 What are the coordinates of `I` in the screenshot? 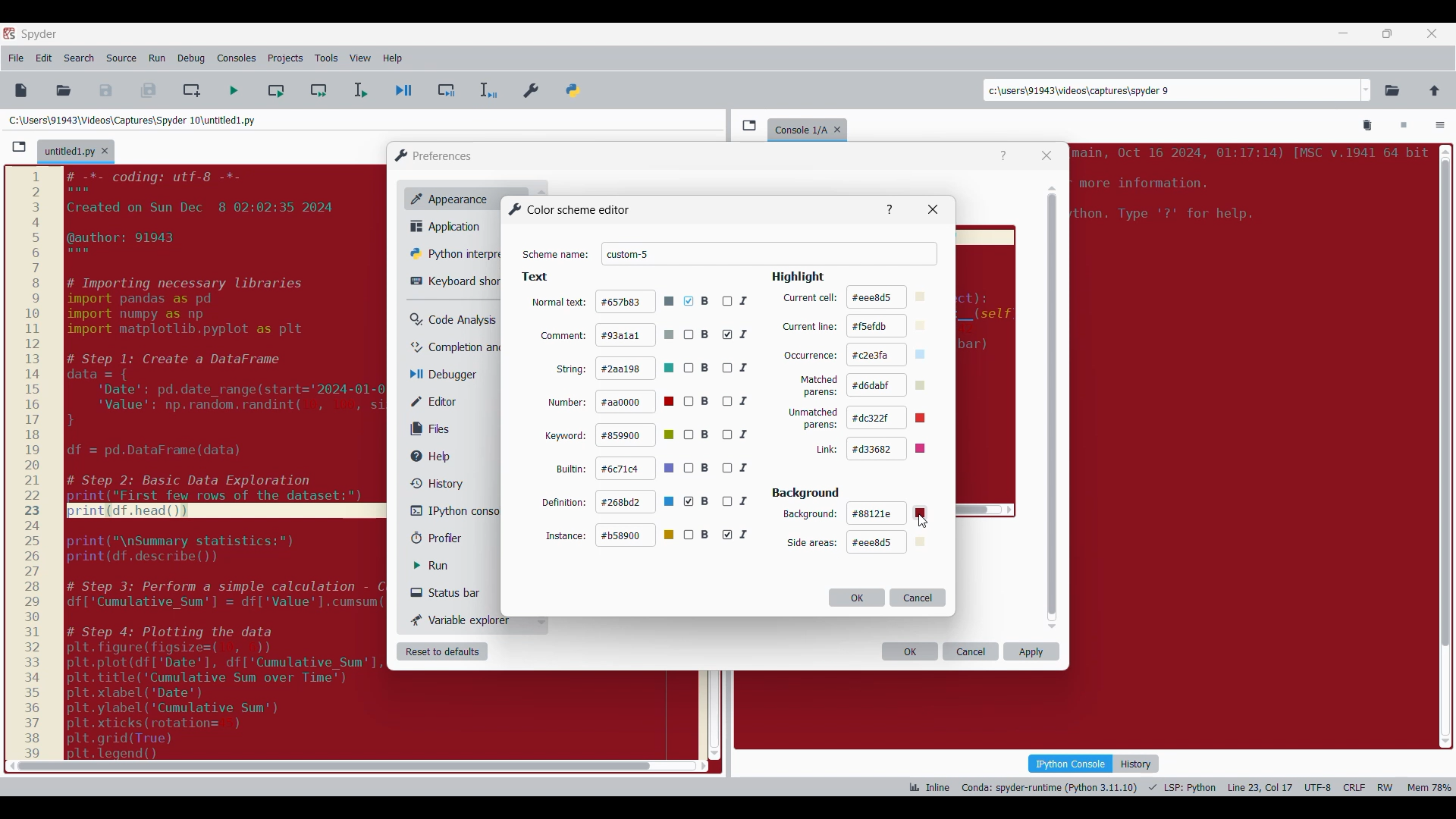 It's located at (737, 299).